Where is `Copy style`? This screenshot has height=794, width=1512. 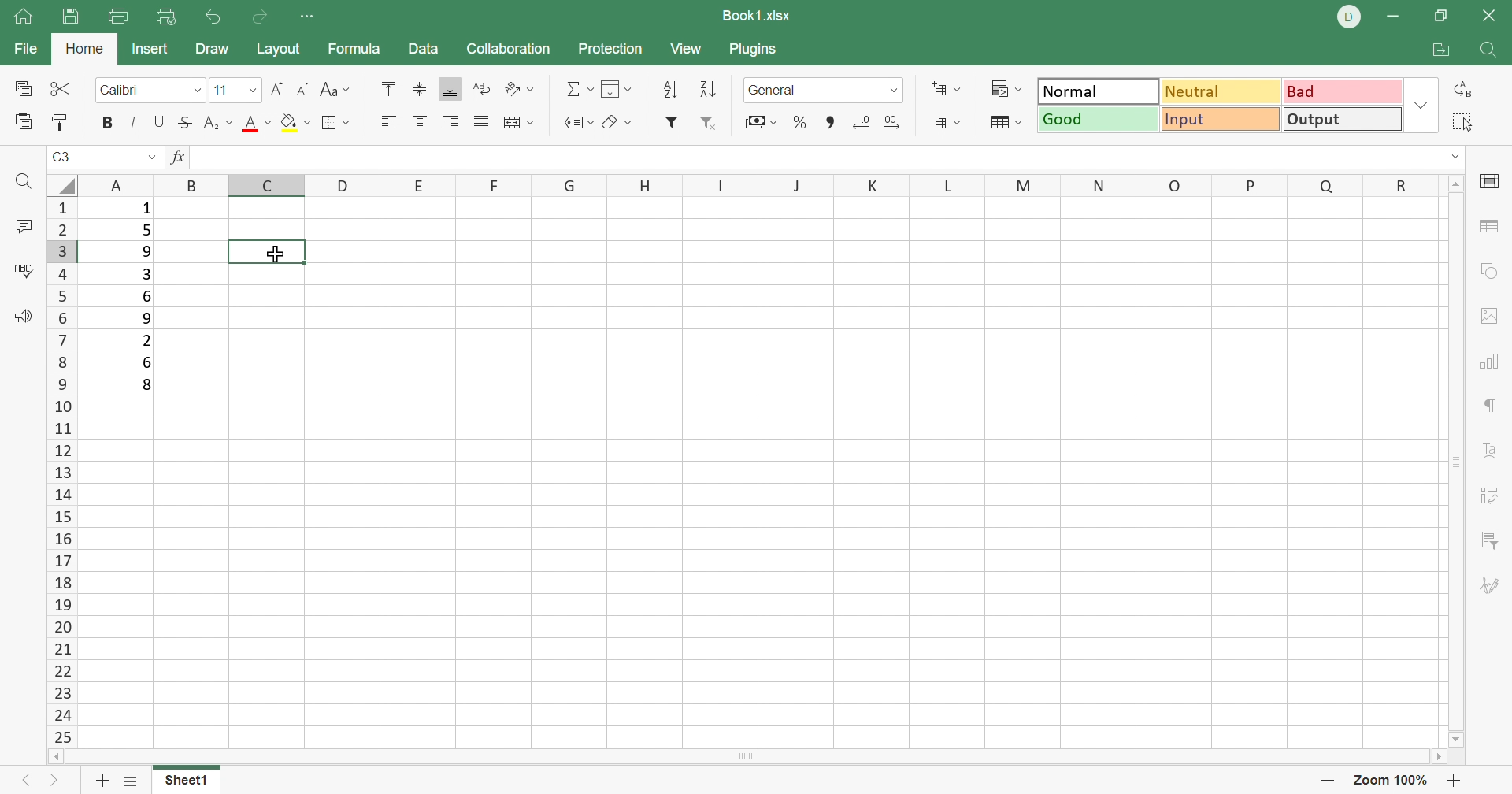
Copy style is located at coordinates (60, 121).